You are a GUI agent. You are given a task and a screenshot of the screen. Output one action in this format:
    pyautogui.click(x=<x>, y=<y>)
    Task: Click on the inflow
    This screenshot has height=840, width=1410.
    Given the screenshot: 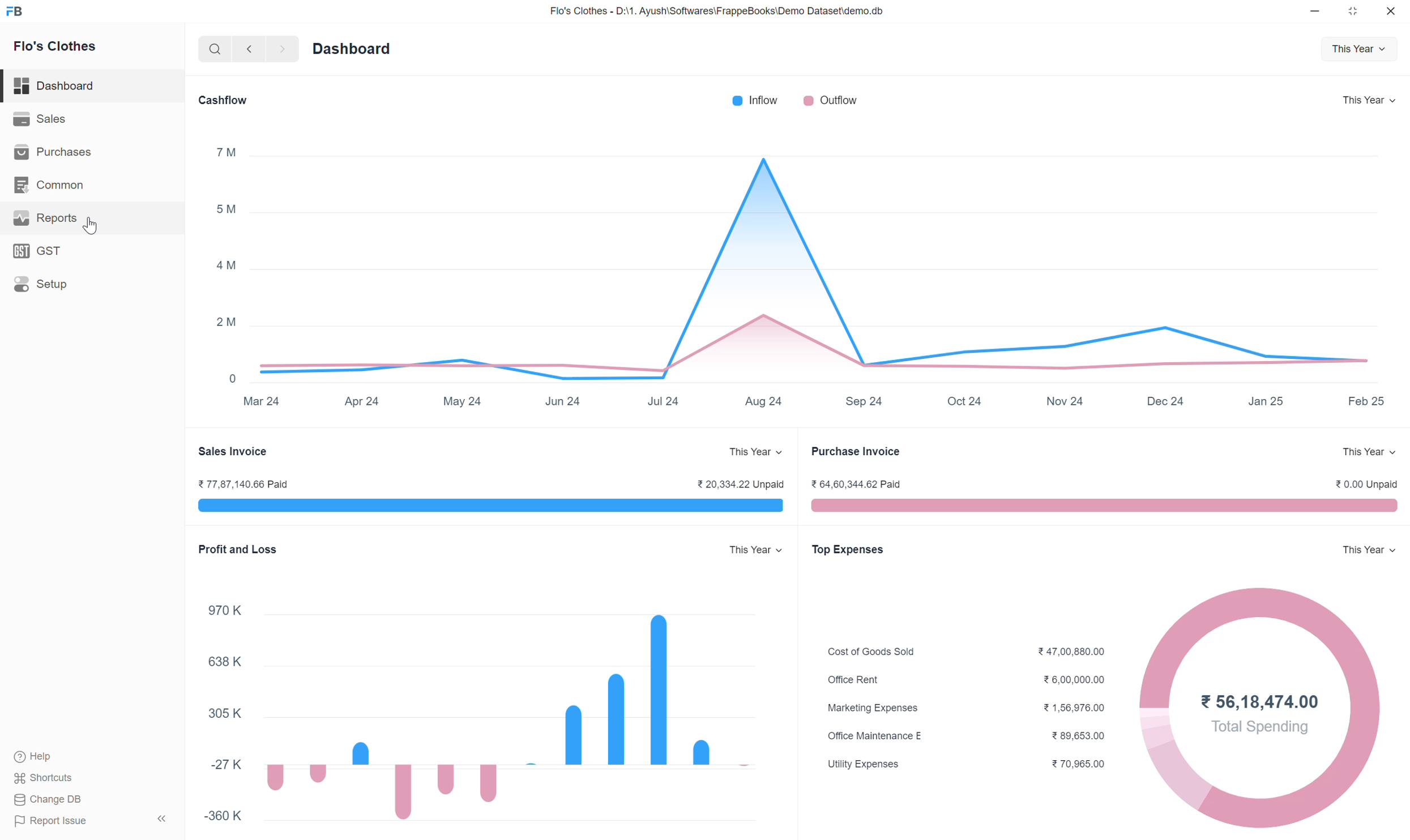 What is the action you would take?
    pyautogui.click(x=755, y=100)
    